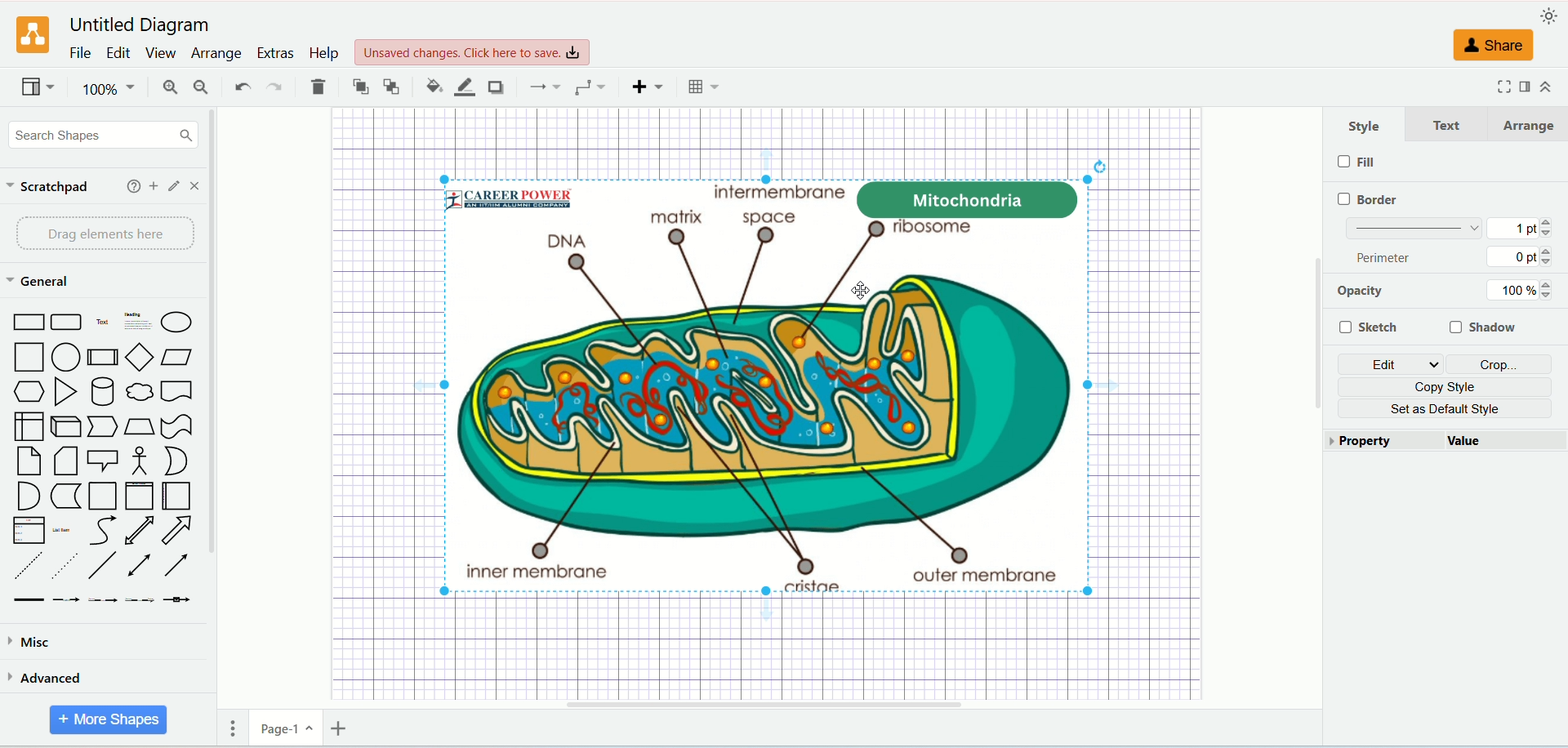 This screenshot has height=748, width=1568. Describe the element at coordinates (1447, 387) in the screenshot. I see `copy style` at that location.